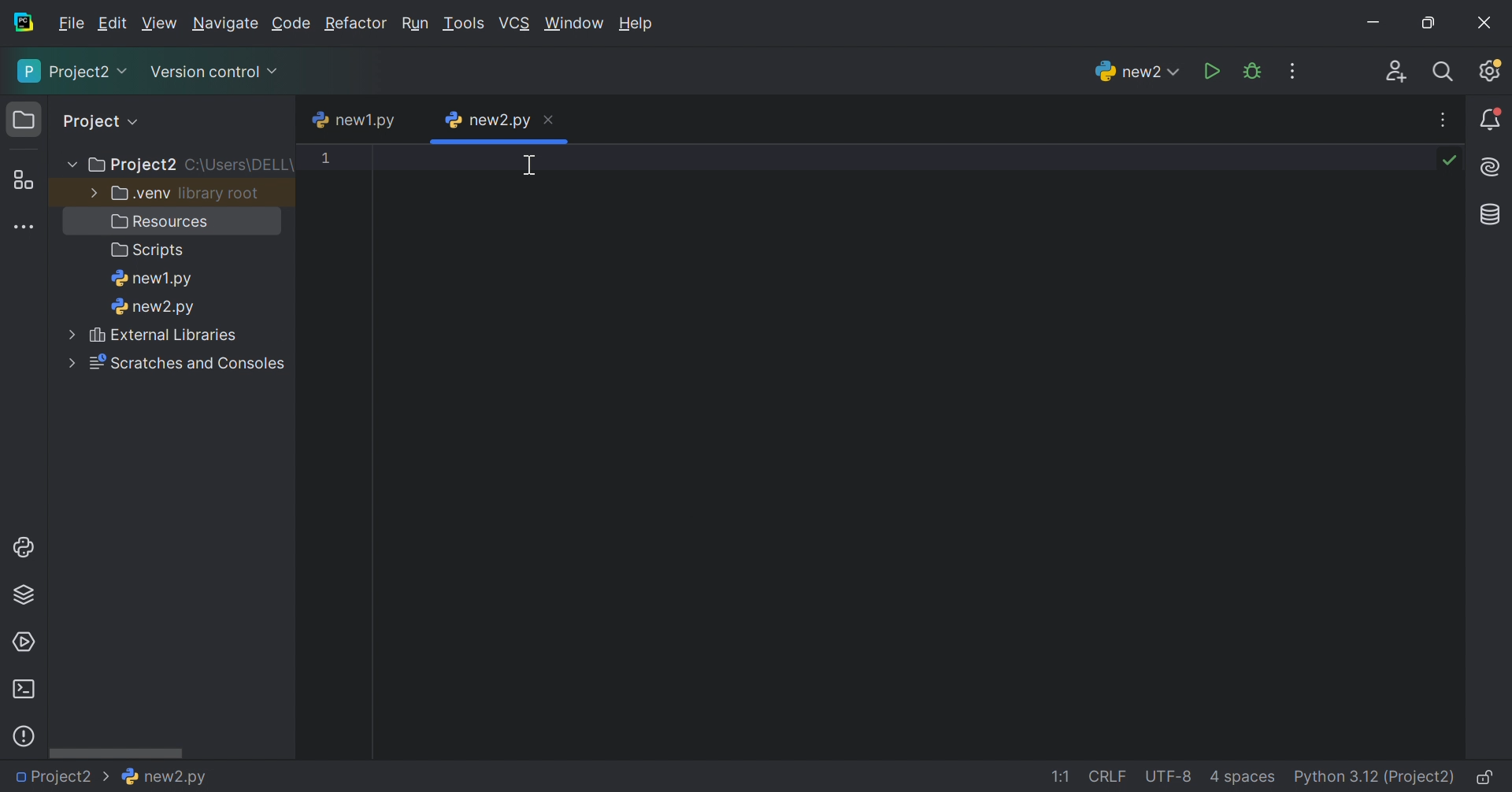 This screenshot has width=1512, height=792. What do you see at coordinates (1243, 775) in the screenshot?
I see `4 spaces` at bounding box center [1243, 775].